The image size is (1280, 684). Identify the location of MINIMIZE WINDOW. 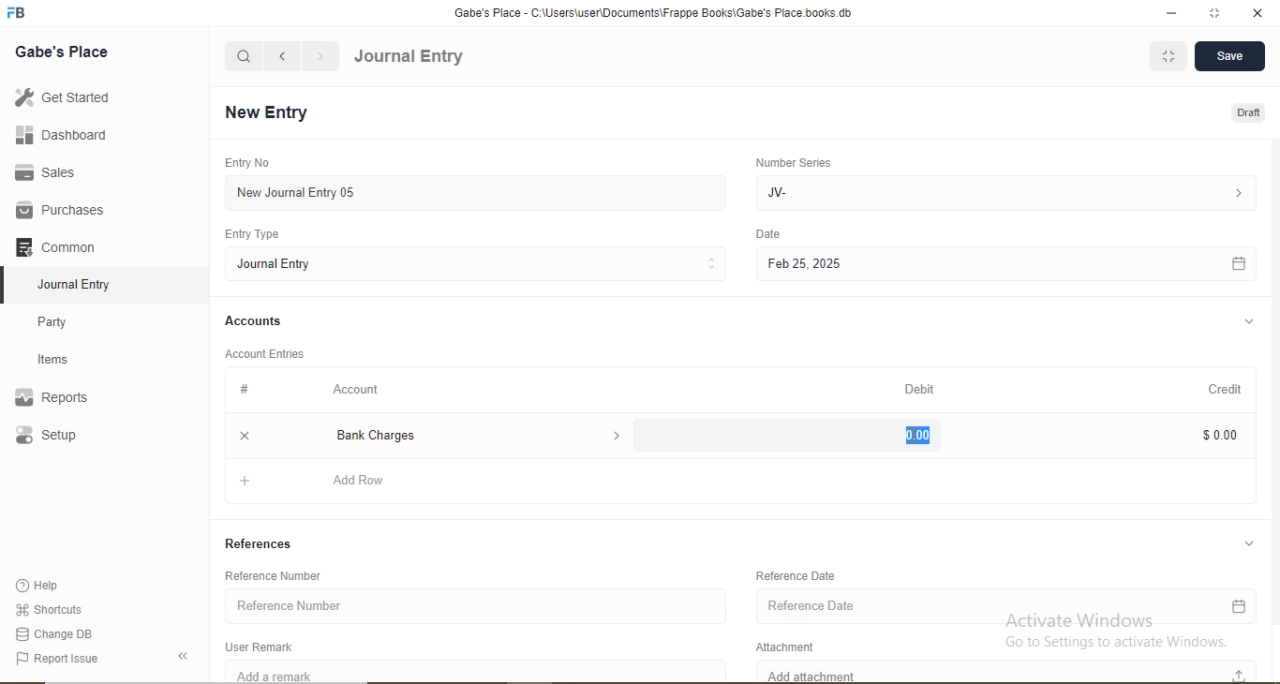
(1166, 56).